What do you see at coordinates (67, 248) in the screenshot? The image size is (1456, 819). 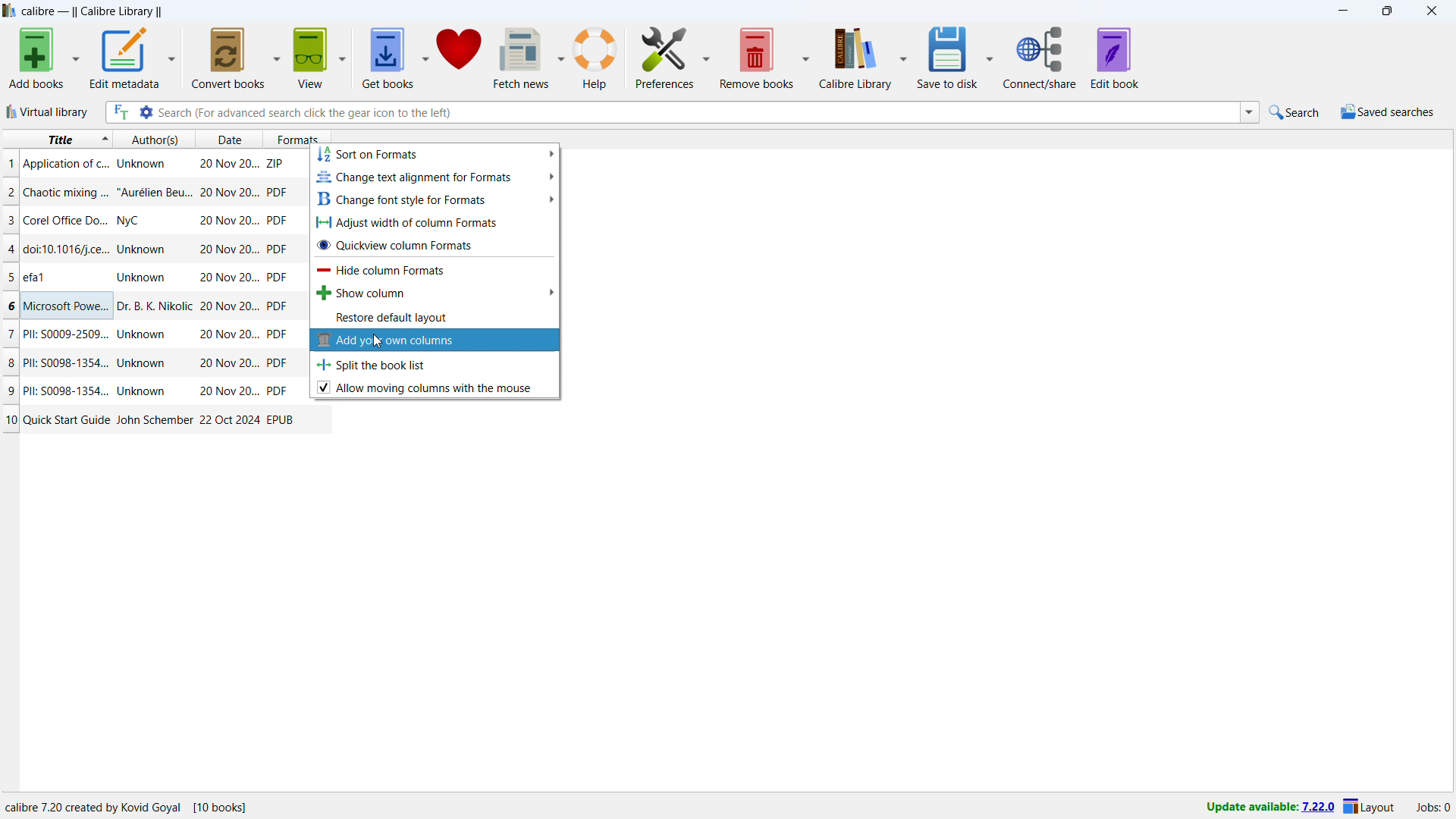 I see `title` at bounding box center [67, 248].